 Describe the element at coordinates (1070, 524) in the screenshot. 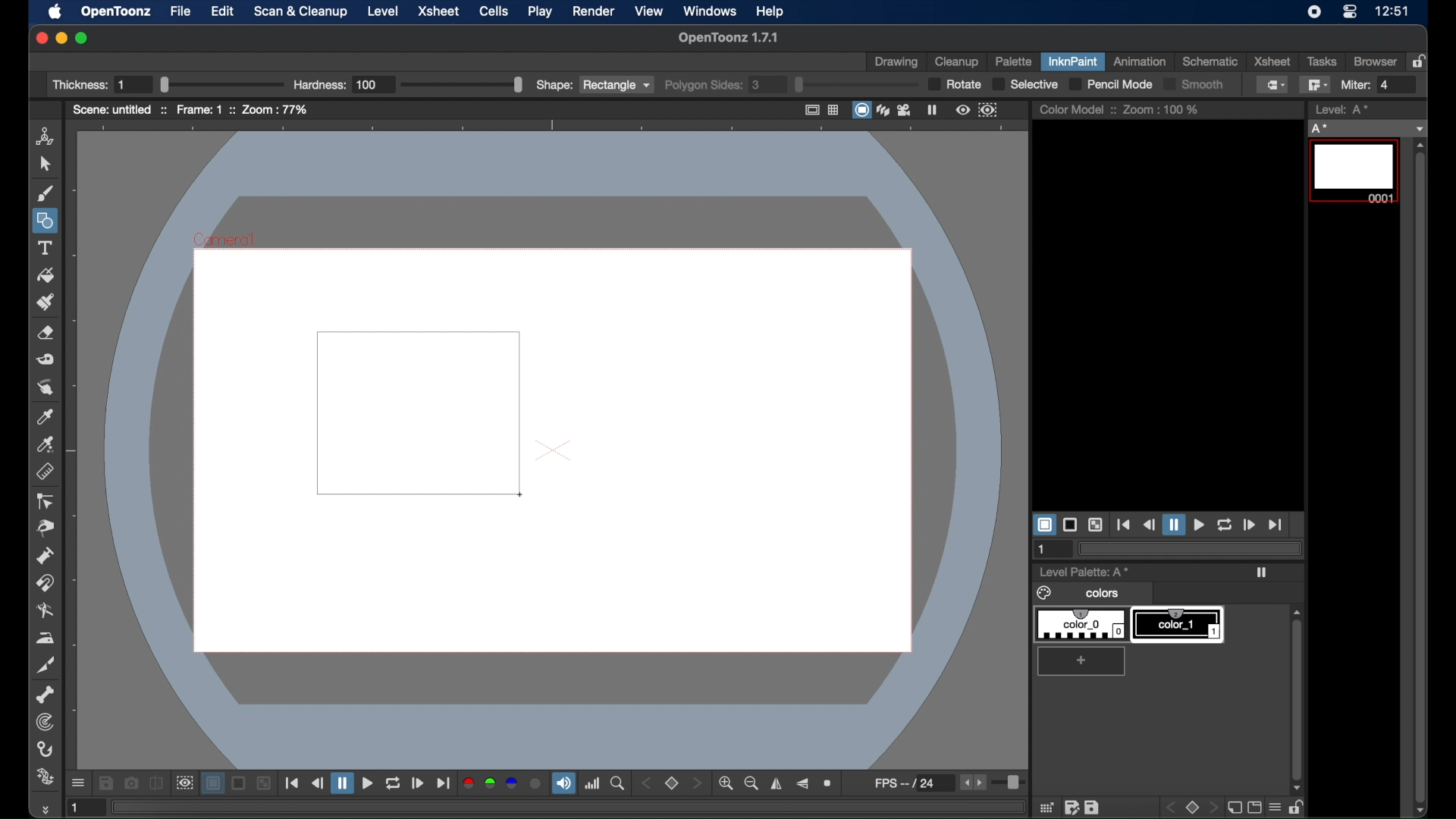

I see `black background` at that location.